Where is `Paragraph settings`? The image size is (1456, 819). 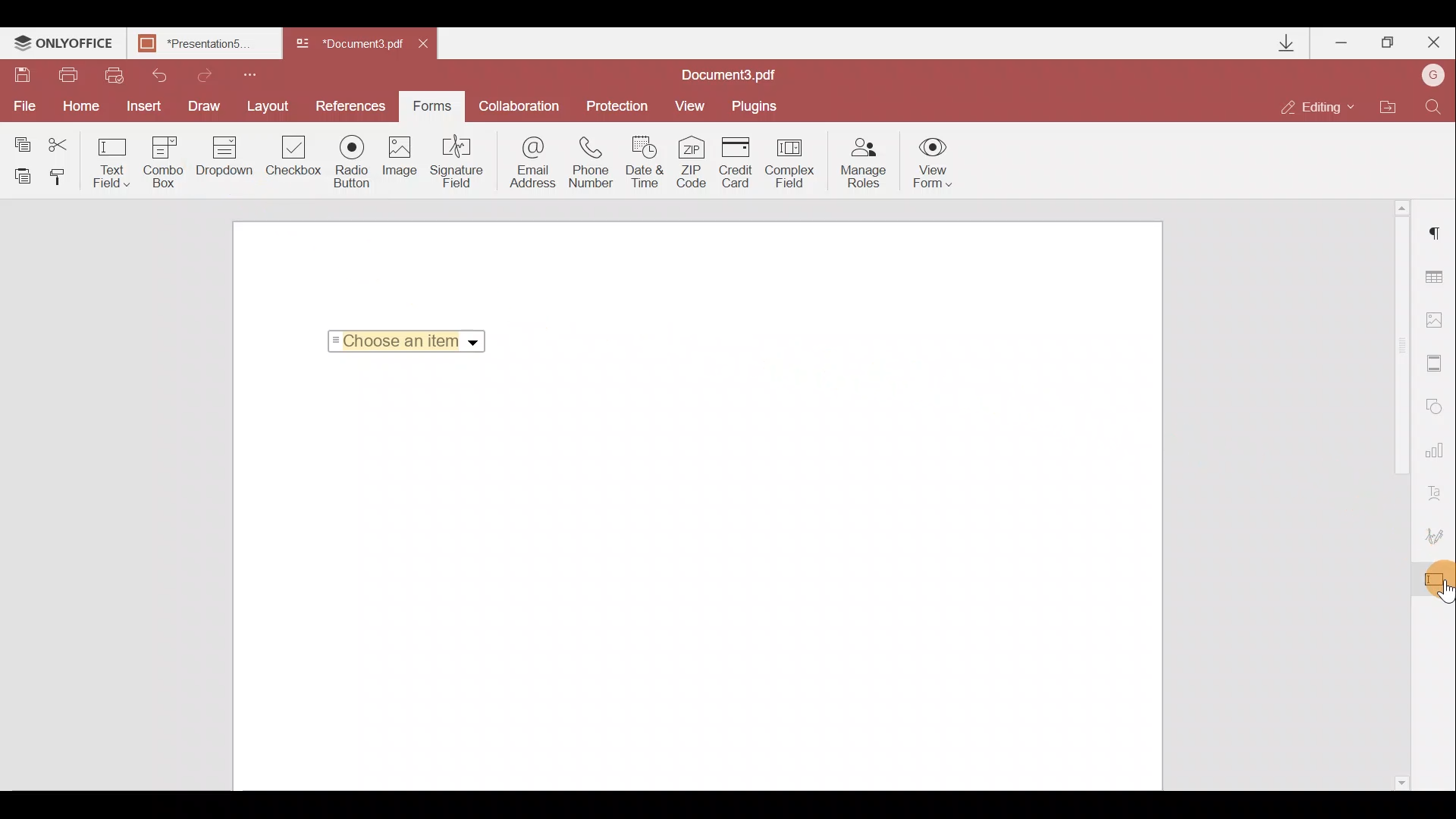 Paragraph settings is located at coordinates (1439, 231).